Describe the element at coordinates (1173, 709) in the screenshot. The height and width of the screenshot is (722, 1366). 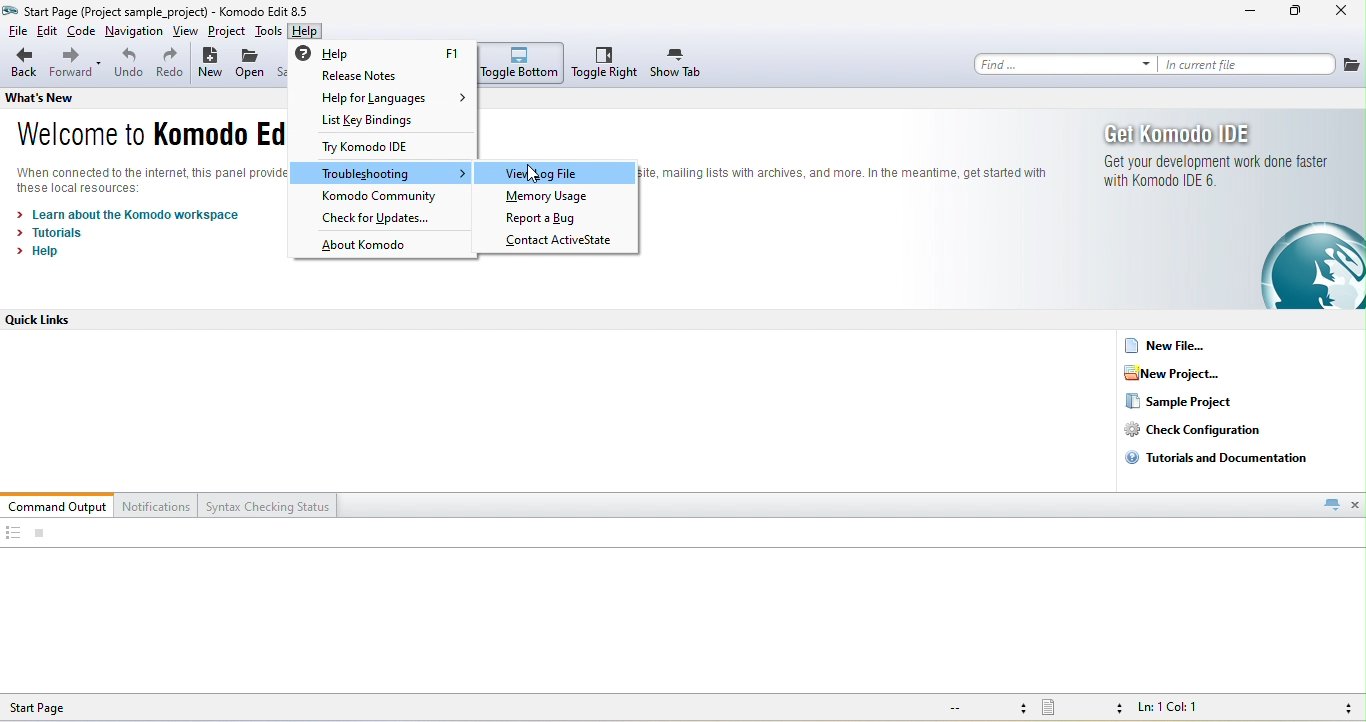
I see `ln 1, col 1` at that location.